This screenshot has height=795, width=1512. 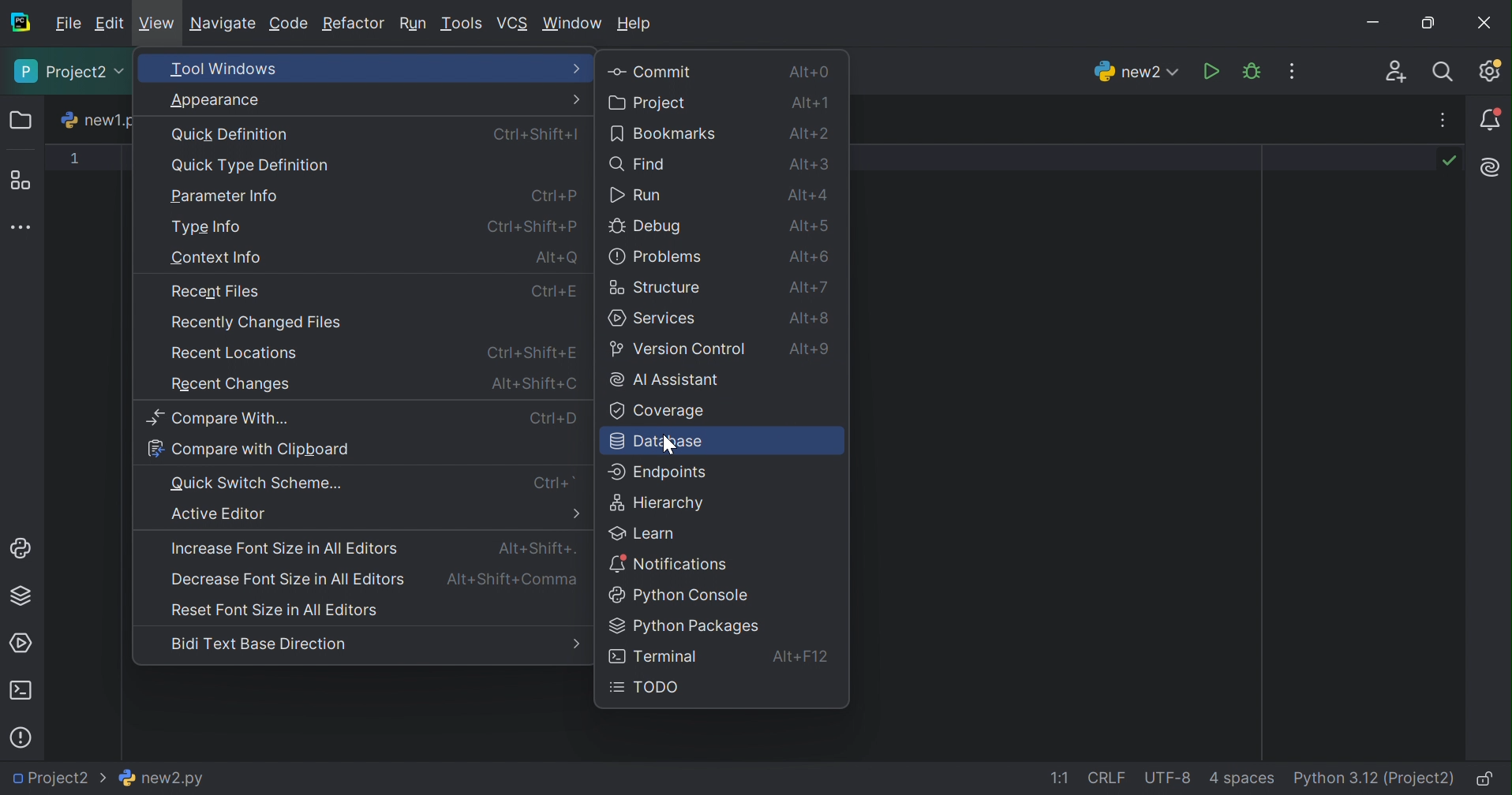 What do you see at coordinates (511, 21) in the screenshot?
I see `VCS` at bounding box center [511, 21].